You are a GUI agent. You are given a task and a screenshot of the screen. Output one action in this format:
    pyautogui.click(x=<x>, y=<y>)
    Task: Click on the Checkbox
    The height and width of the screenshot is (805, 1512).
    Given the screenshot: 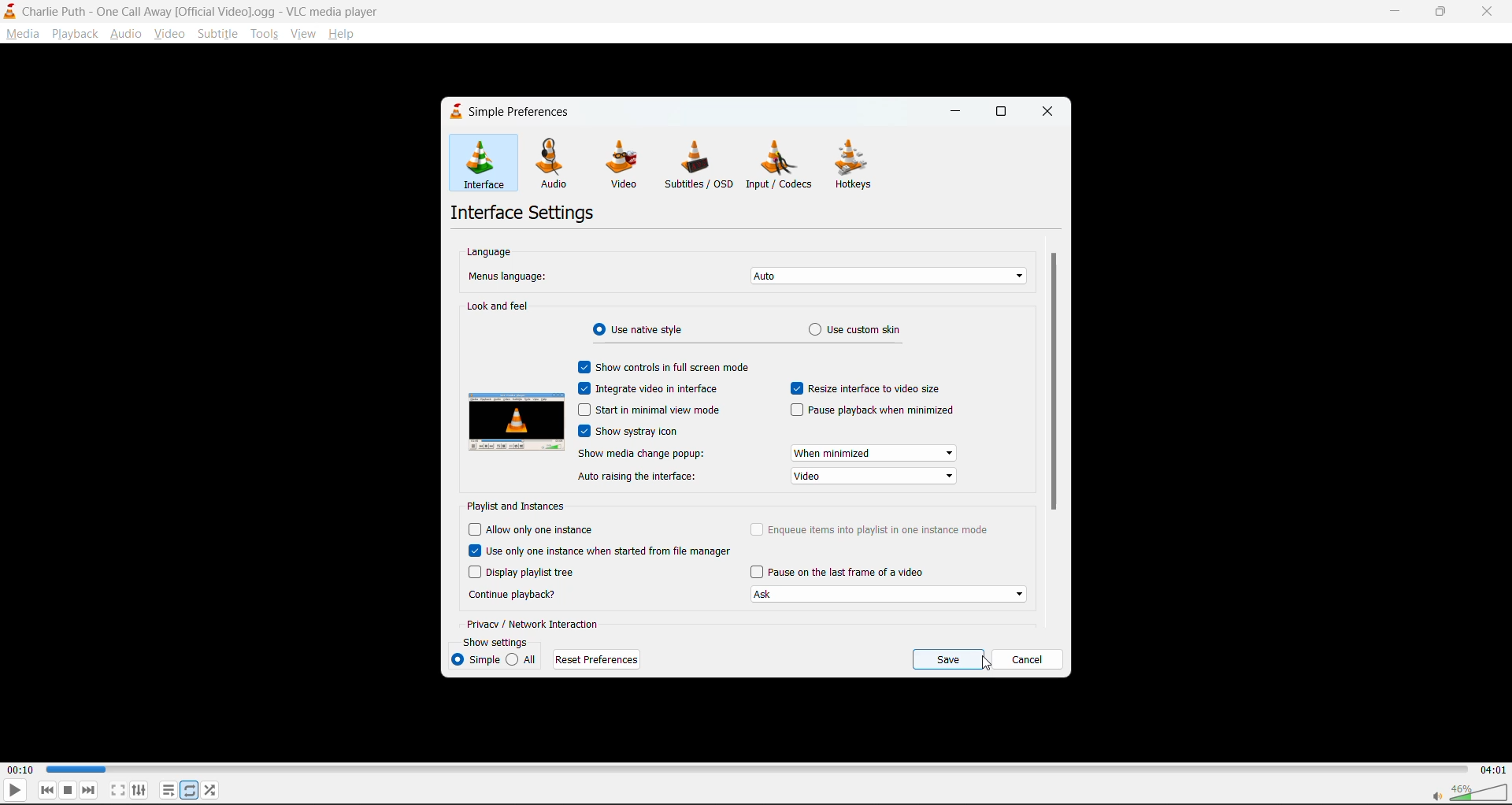 What is the action you would take?
    pyautogui.click(x=582, y=367)
    